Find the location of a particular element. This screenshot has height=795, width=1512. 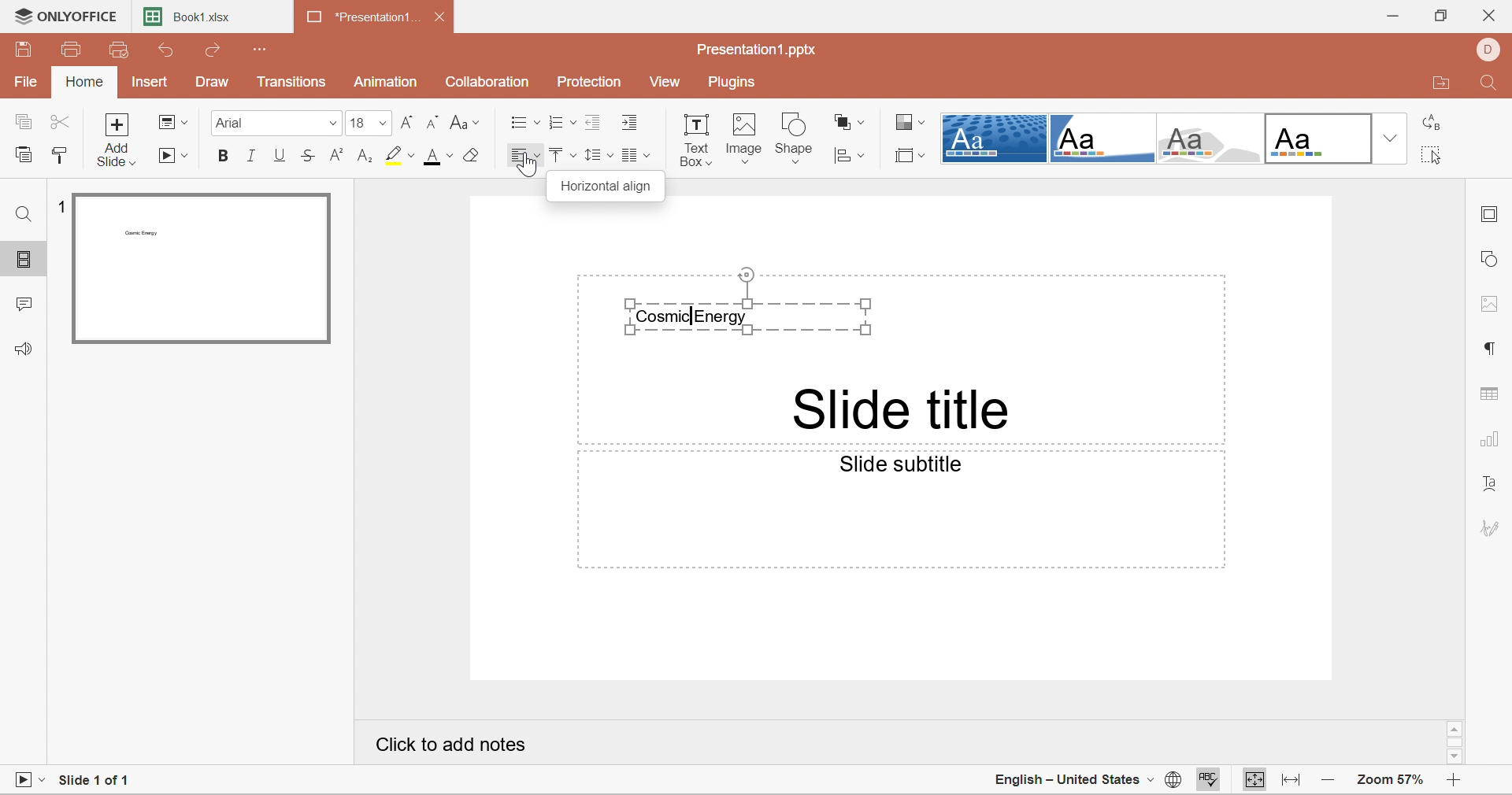

Plugins is located at coordinates (734, 83).